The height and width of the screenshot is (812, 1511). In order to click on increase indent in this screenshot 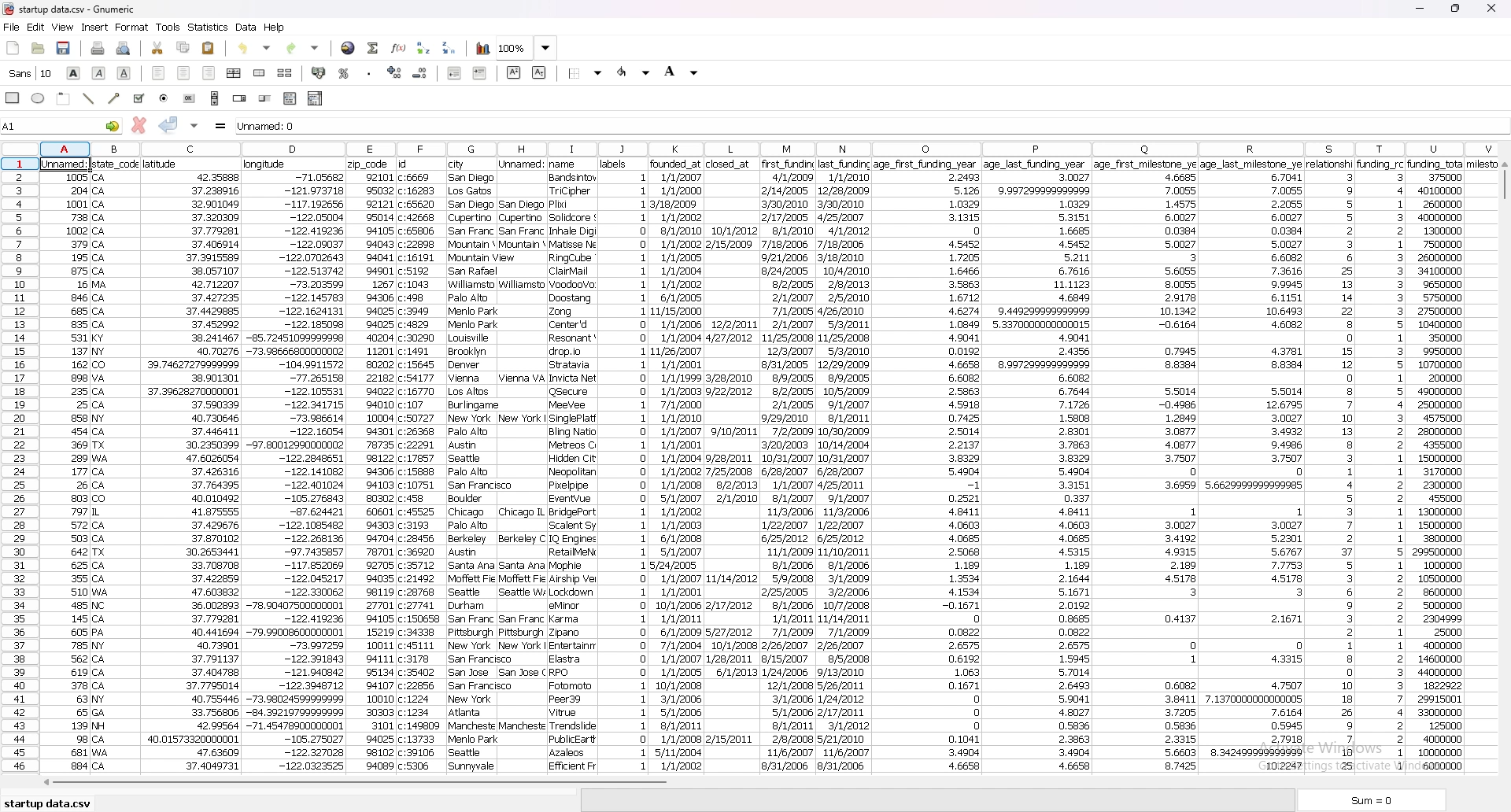, I will do `click(480, 73)`.